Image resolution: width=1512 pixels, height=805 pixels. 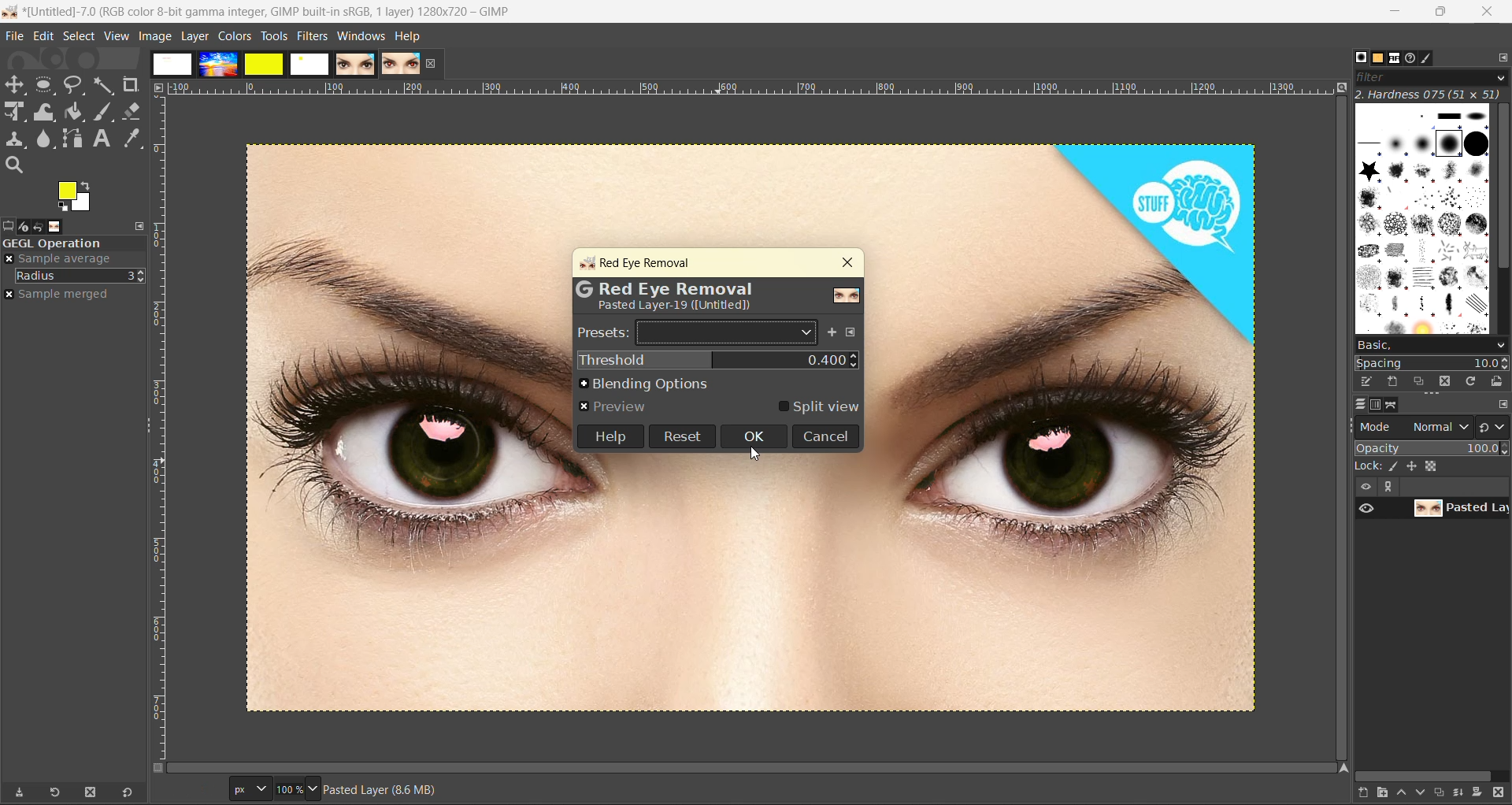 I want to click on path tool, so click(x=72, y=138).